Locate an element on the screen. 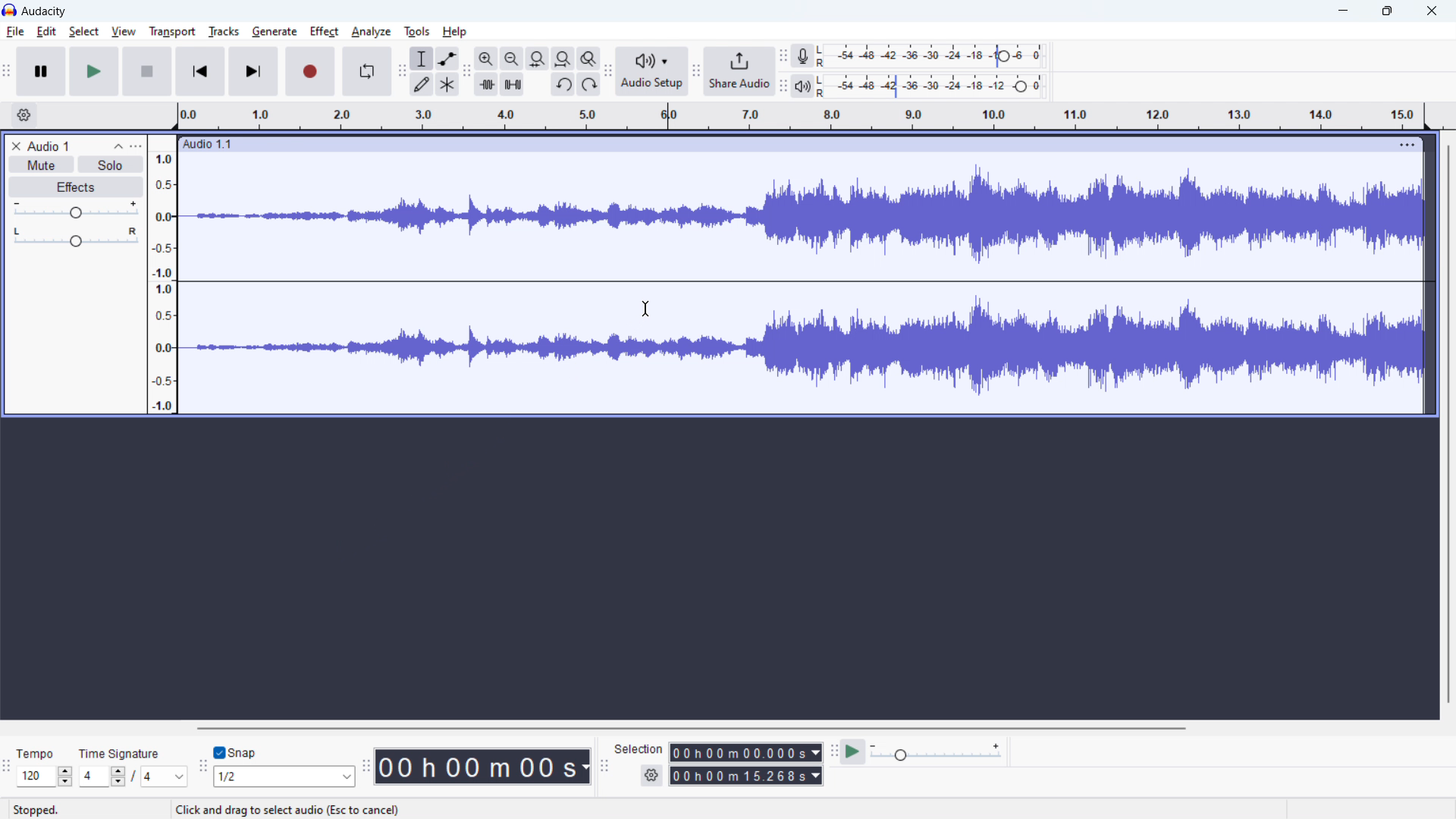 The height and width of the screenshot is (819, 1456). record is located at coordinates (311, 71).